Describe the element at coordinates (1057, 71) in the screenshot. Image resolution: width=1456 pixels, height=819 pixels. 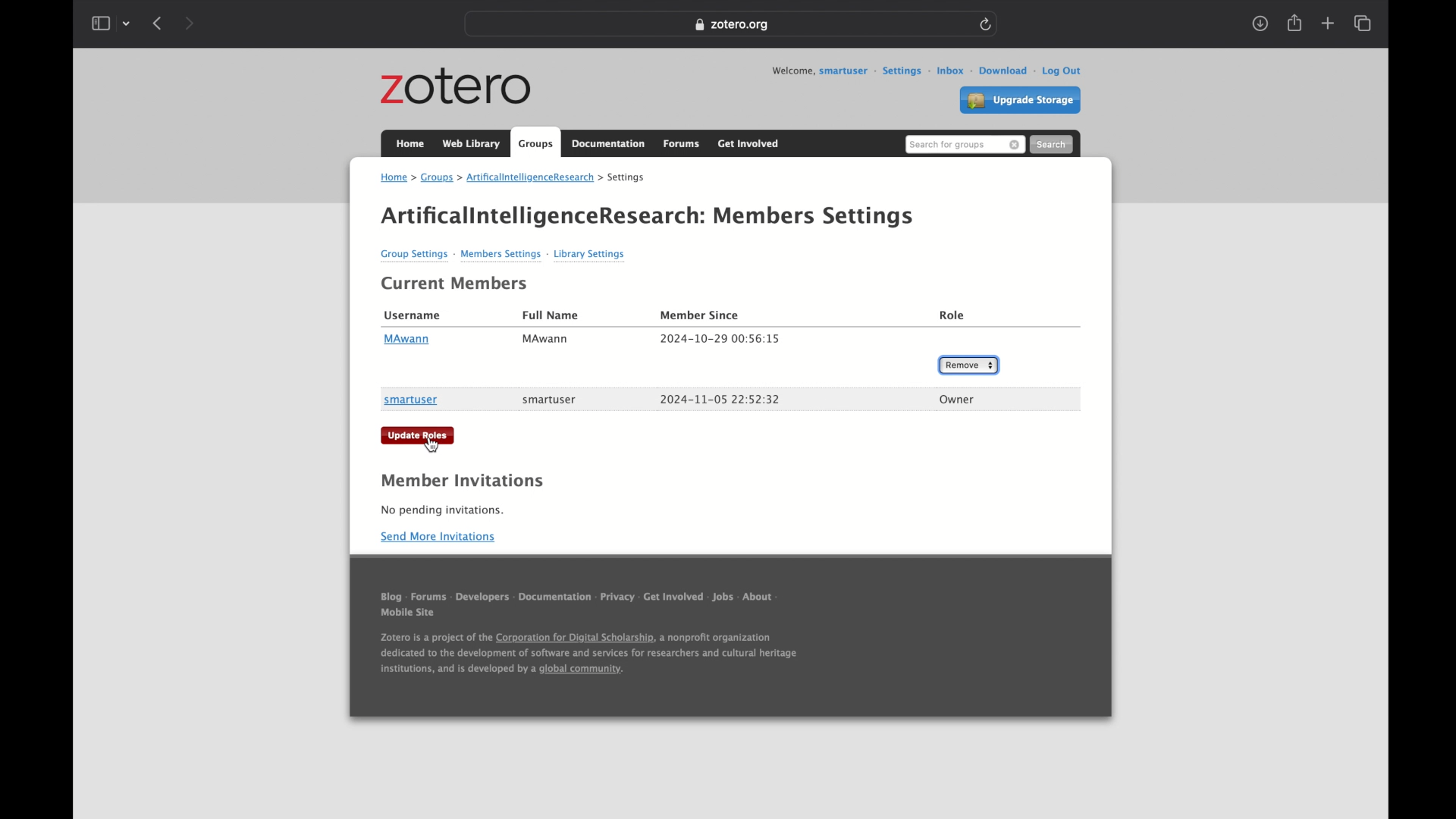
I see `log out` at that location.